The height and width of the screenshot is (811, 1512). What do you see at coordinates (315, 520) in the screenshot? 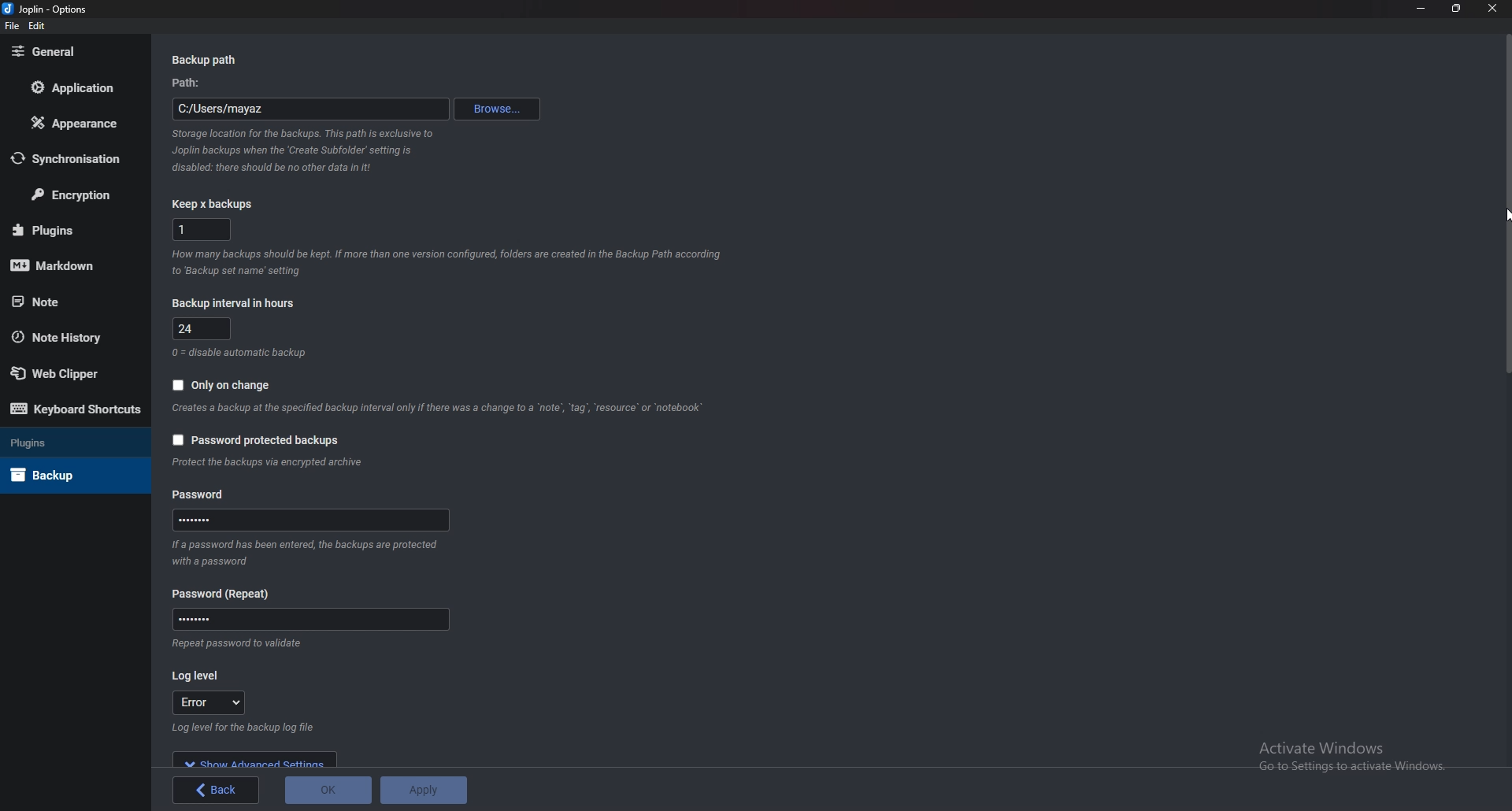
I see `Password` at bounding box center [315, 520].